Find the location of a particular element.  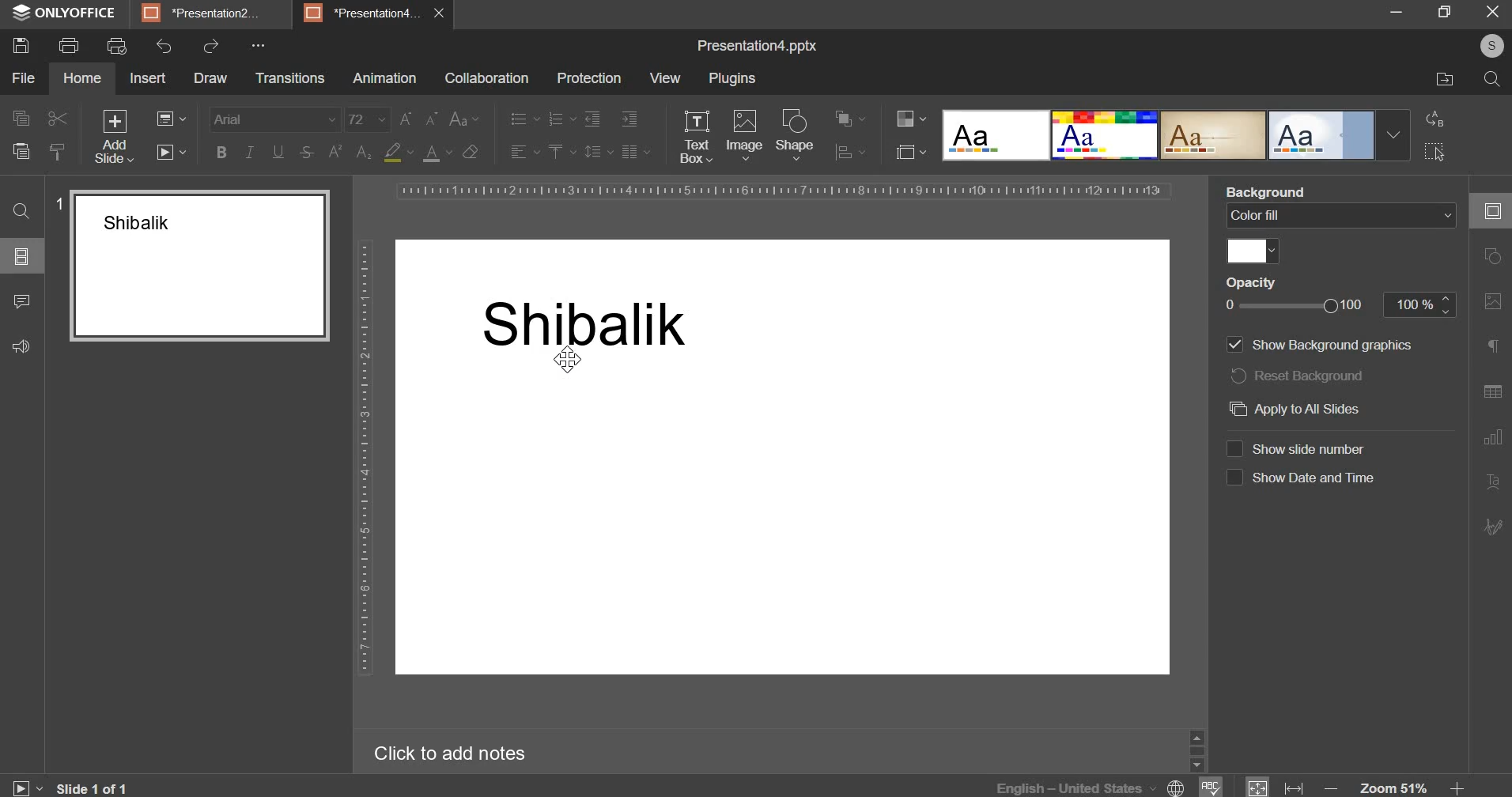

Play is located at coordinates (28, 784).